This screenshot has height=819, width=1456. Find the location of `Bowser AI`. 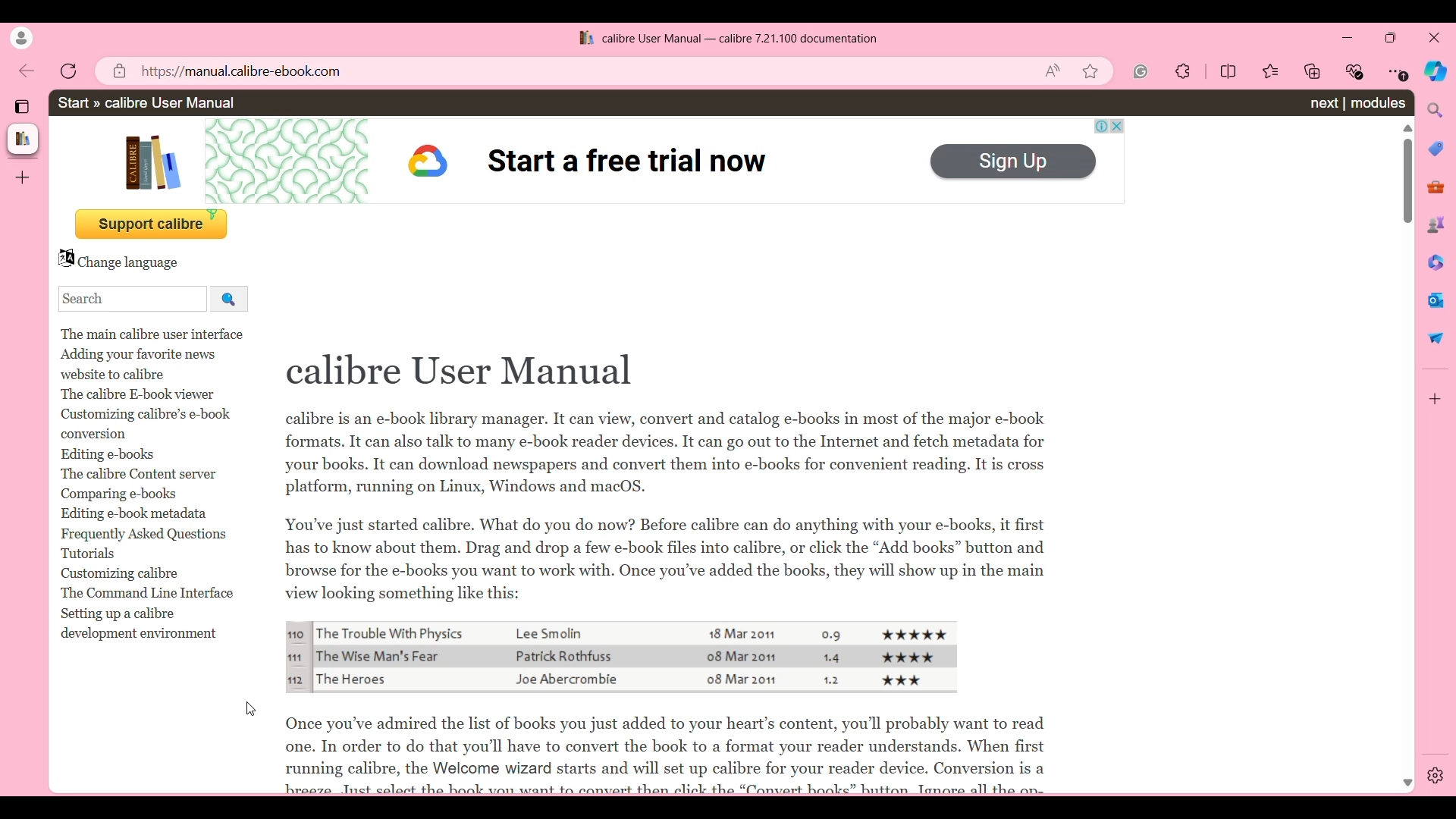

Bowser AI is located at coordinates (1436, 71).